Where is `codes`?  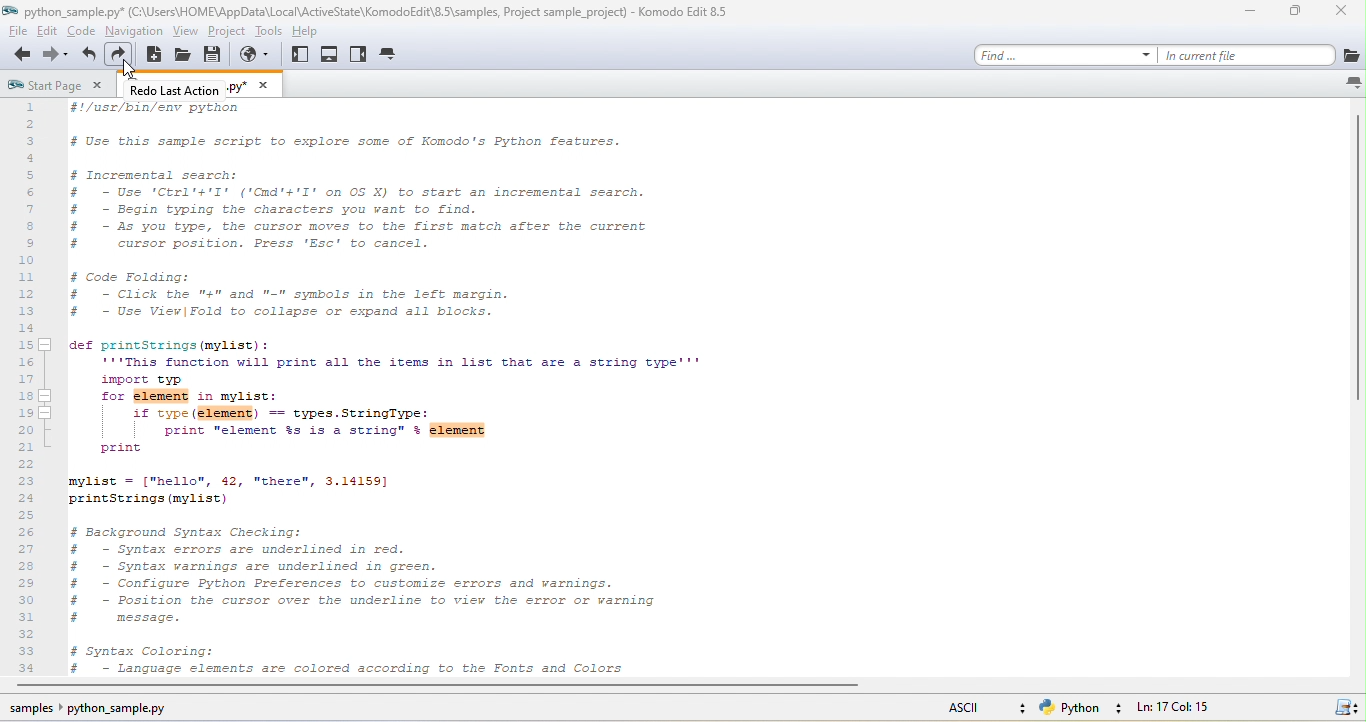 codes is located at coordinates (406, 390).